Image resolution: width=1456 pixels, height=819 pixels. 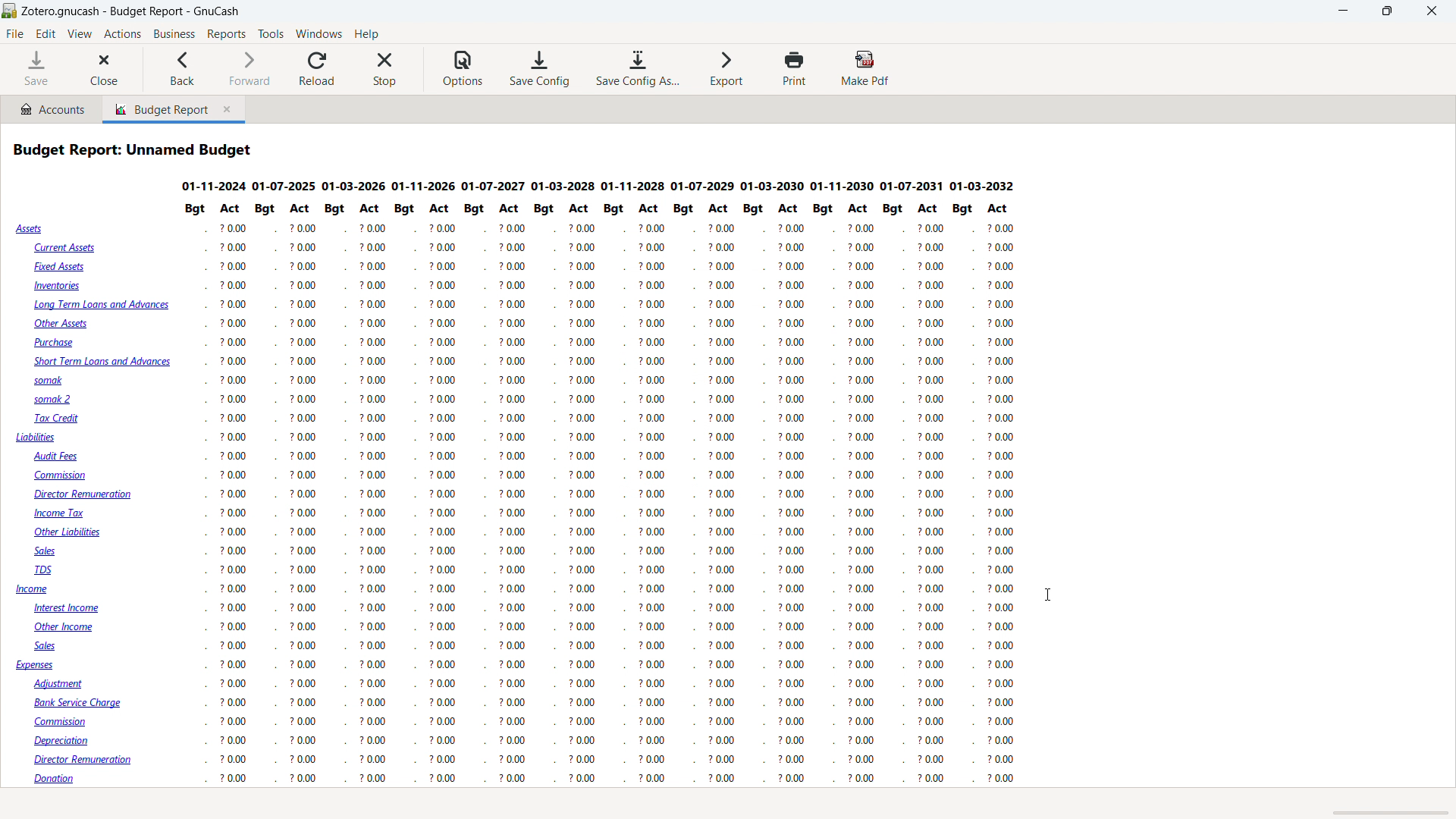 What do you see at coordinates (75, 609) in the screenshot?
I see `Interest Income` at bounding box center [75, 609].